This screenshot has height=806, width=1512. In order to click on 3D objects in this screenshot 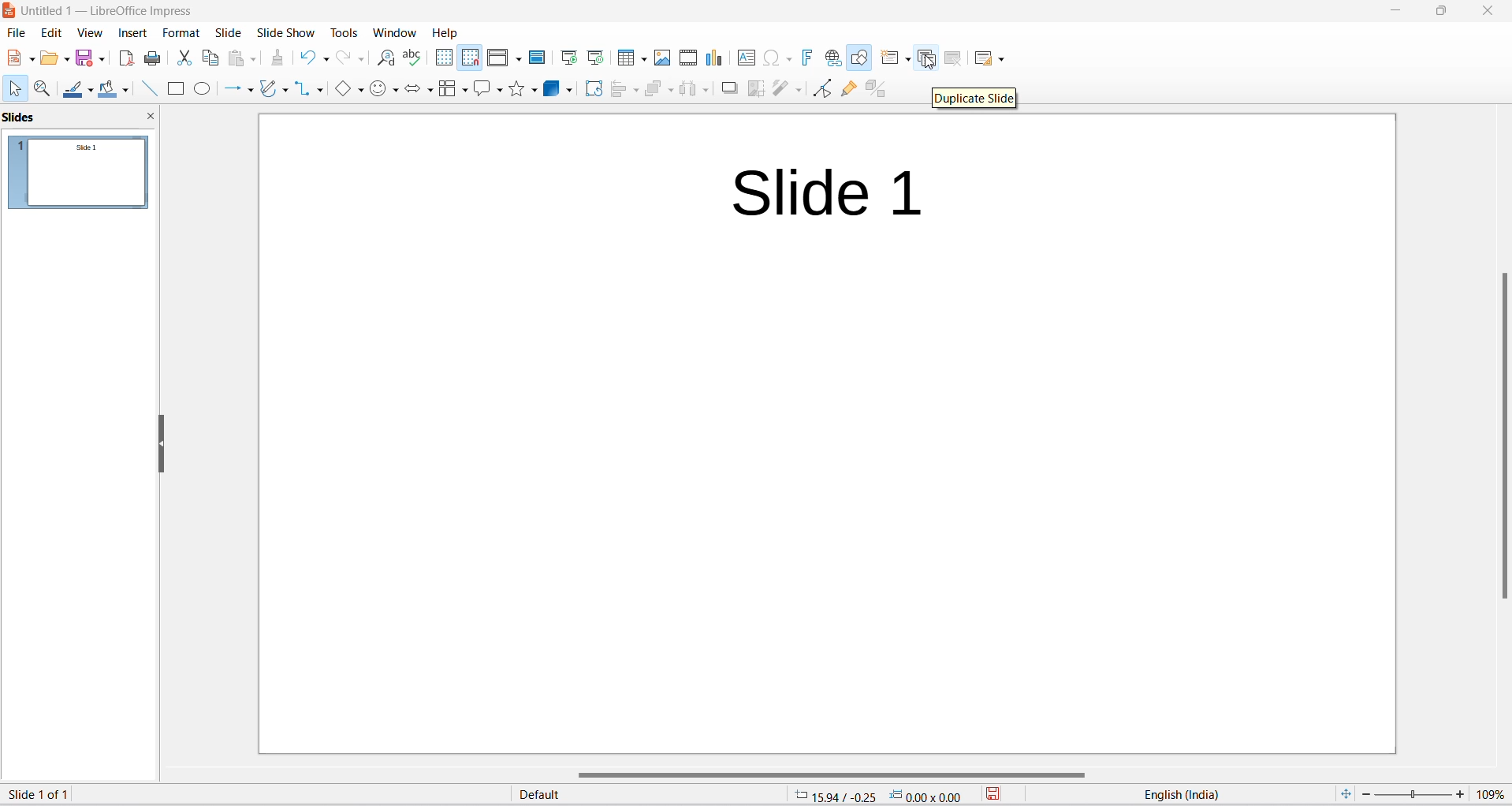, I will do `click(558, 89)`.